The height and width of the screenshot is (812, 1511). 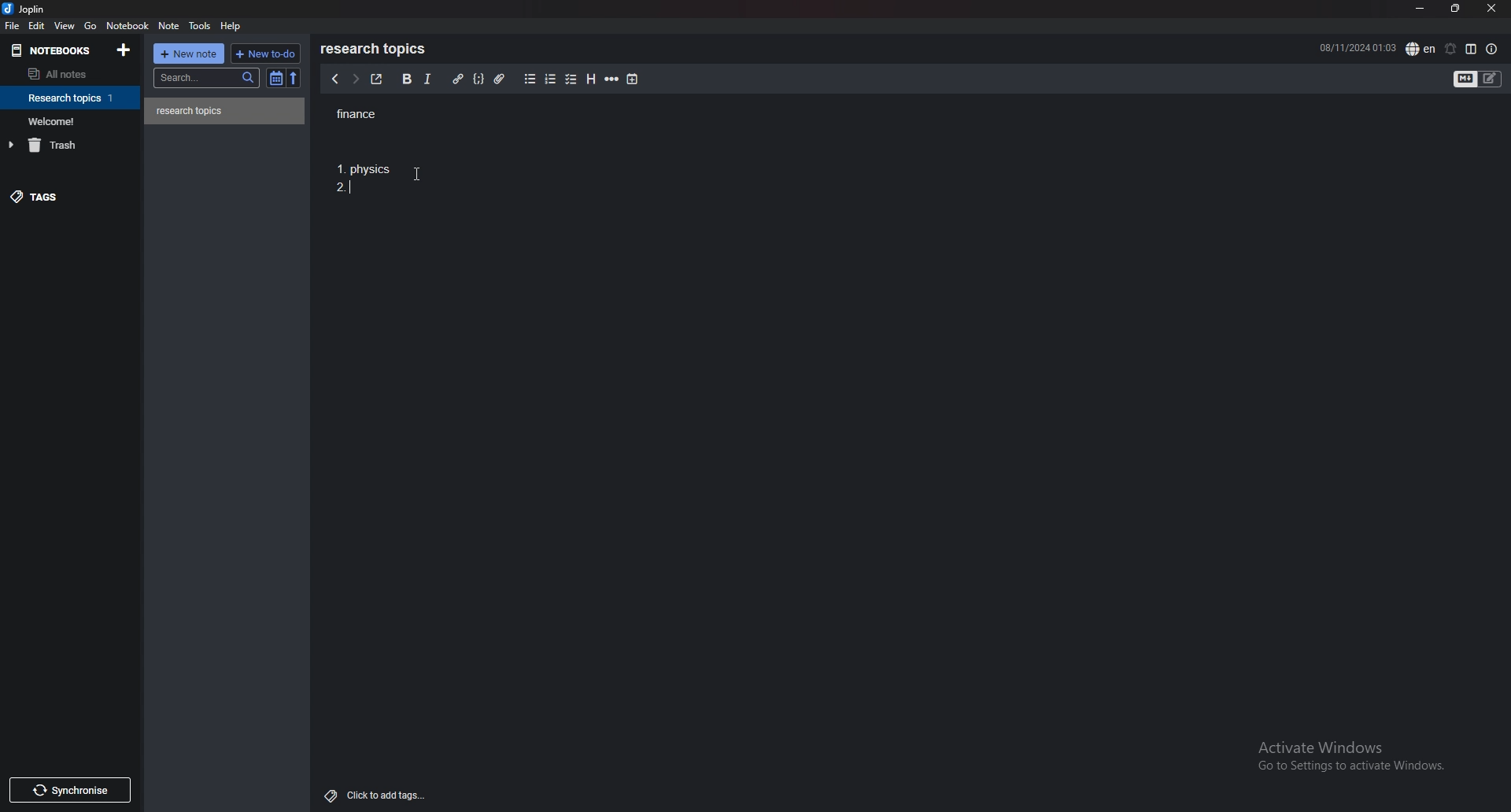 What do you see at coordinates (335, 80) in the screenshot?
I see `previous` at bounding box center [335, 80].